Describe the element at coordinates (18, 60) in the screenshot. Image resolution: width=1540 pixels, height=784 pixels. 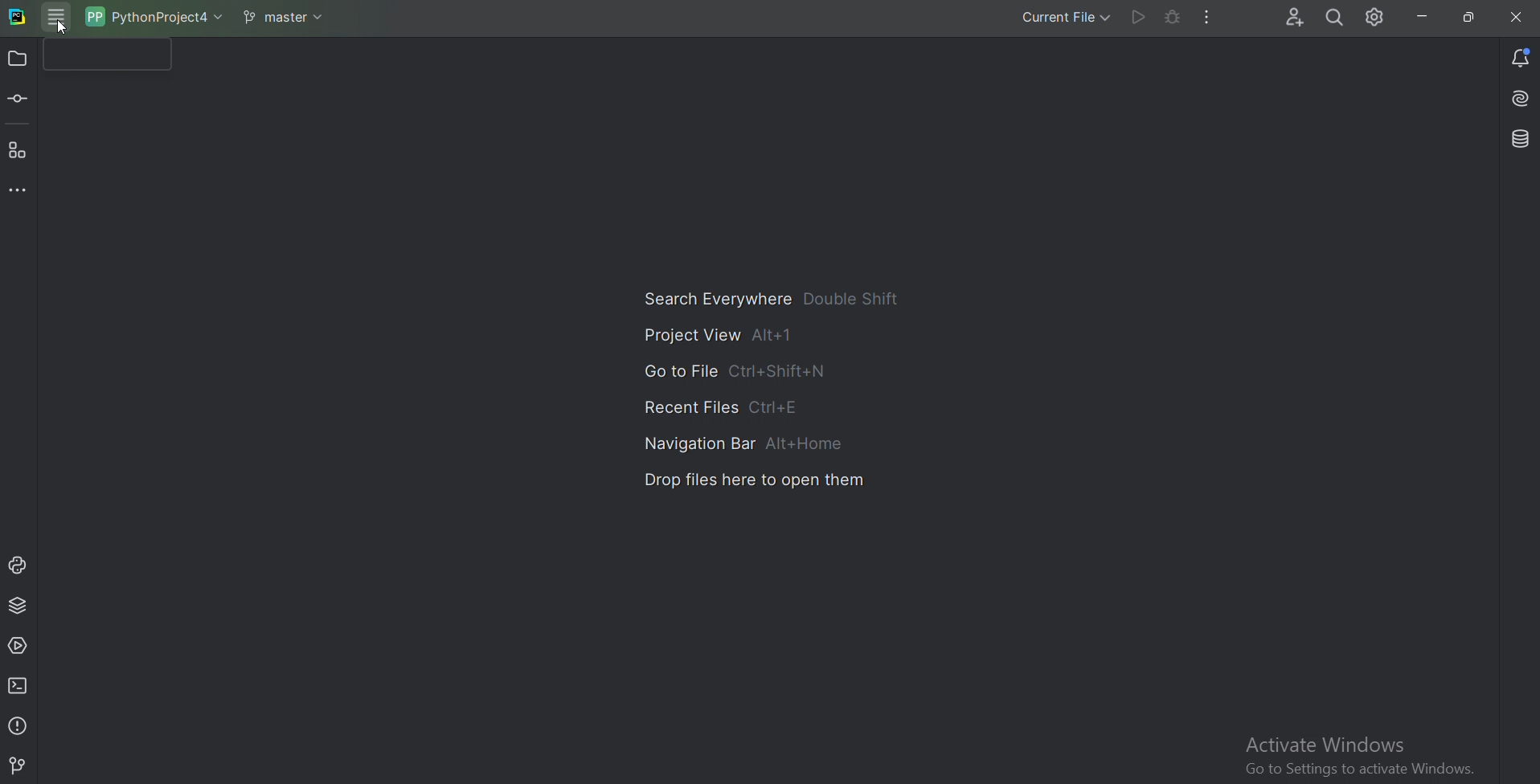
I see `Project` at that location.